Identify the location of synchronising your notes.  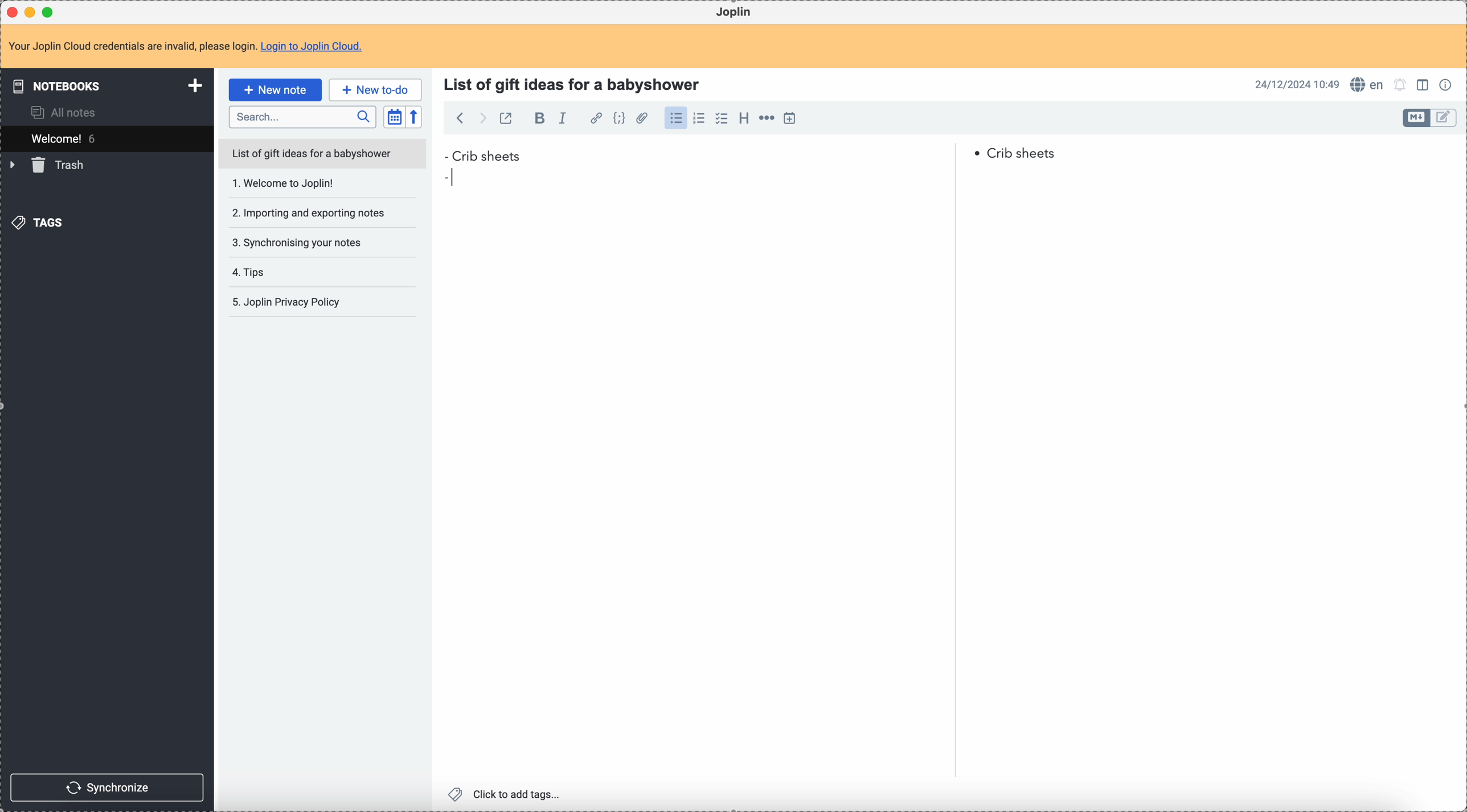
(306, 243).